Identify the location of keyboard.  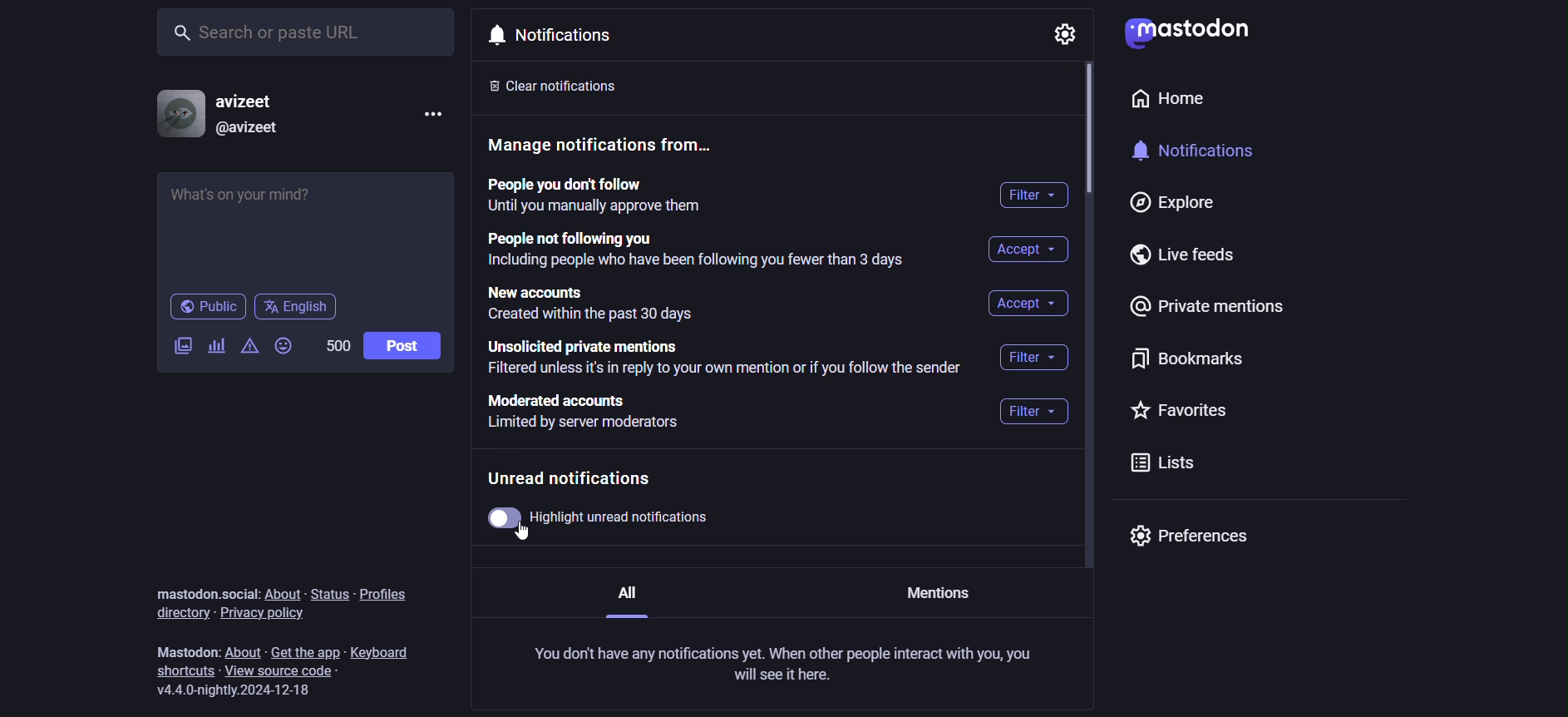
(382, 650).